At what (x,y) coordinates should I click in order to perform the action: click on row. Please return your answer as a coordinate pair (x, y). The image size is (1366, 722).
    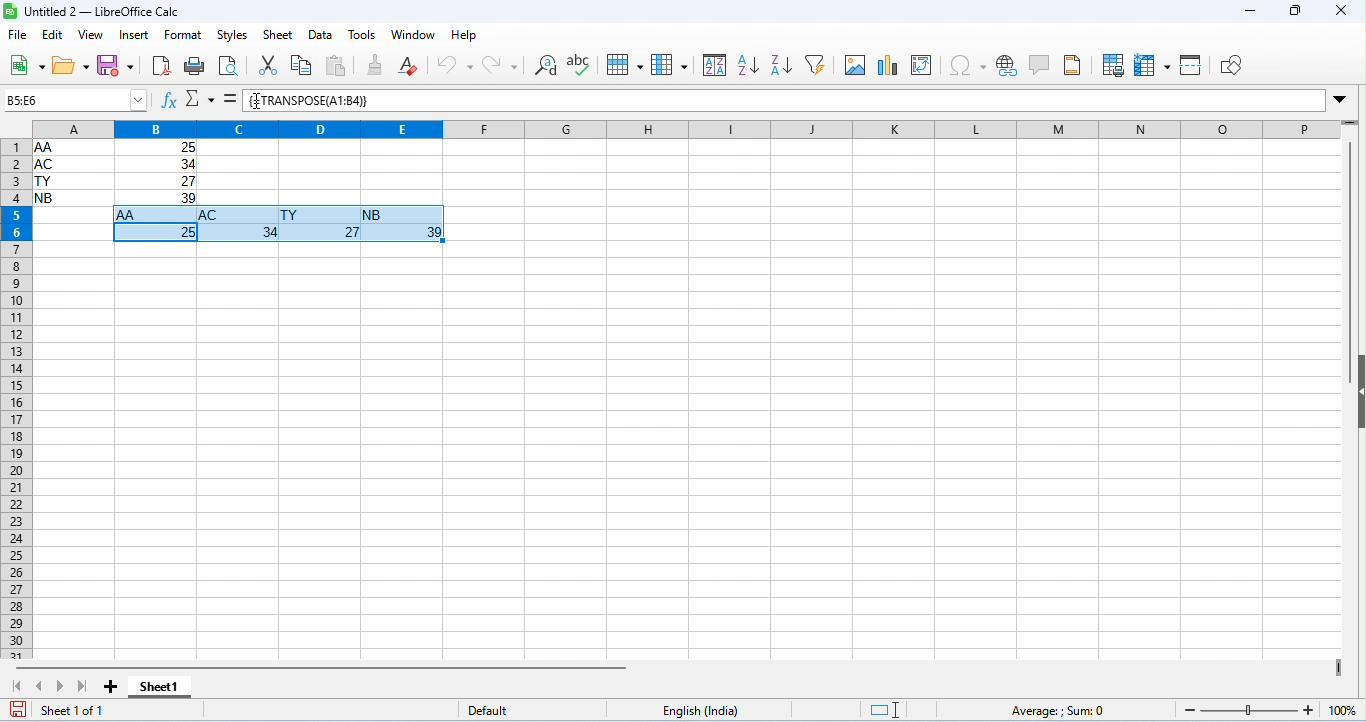
    Looking at the image, I should click on (626, 64).